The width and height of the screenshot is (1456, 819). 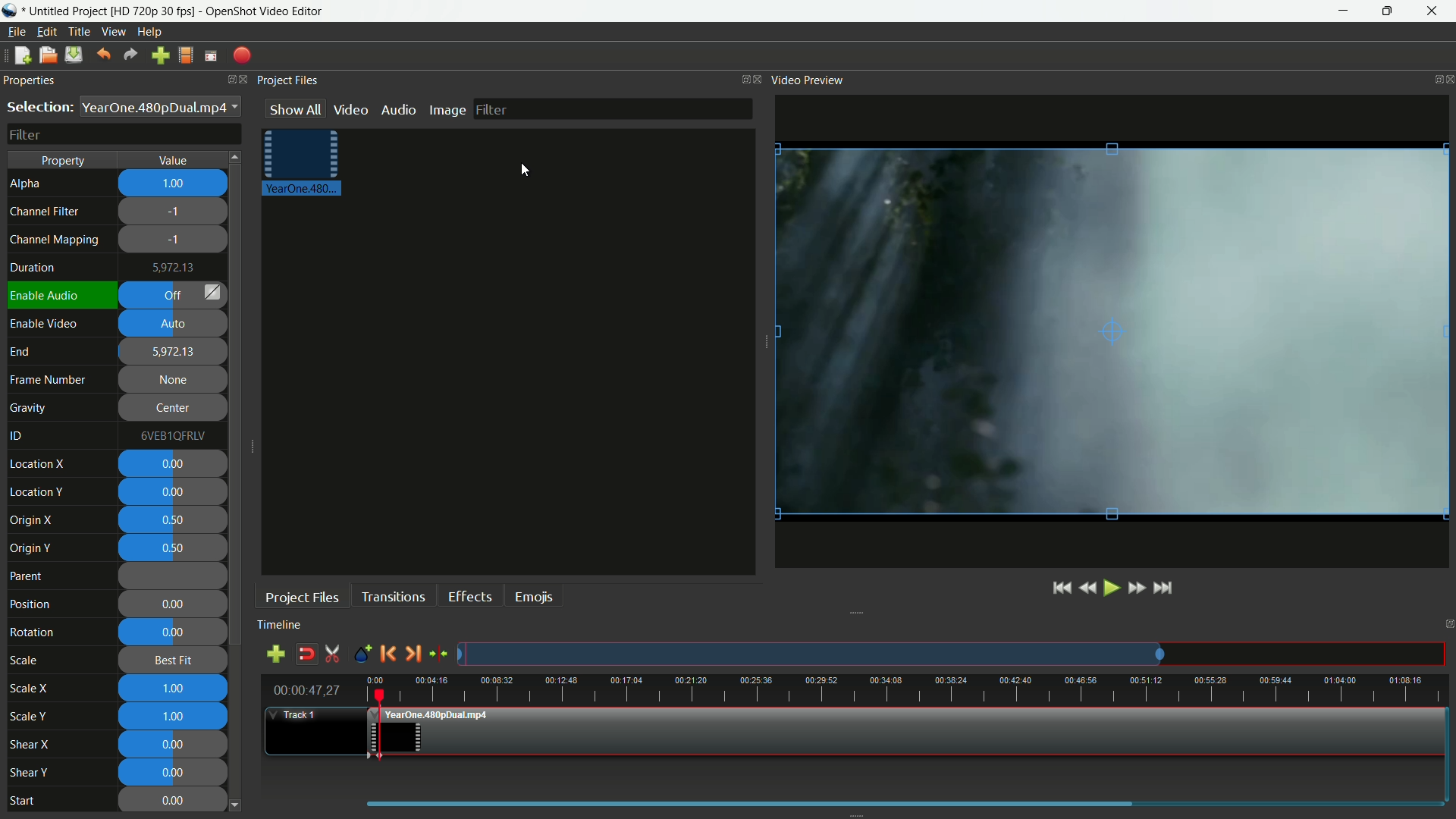 I want to click on origin x, so click(x=33, y=521).